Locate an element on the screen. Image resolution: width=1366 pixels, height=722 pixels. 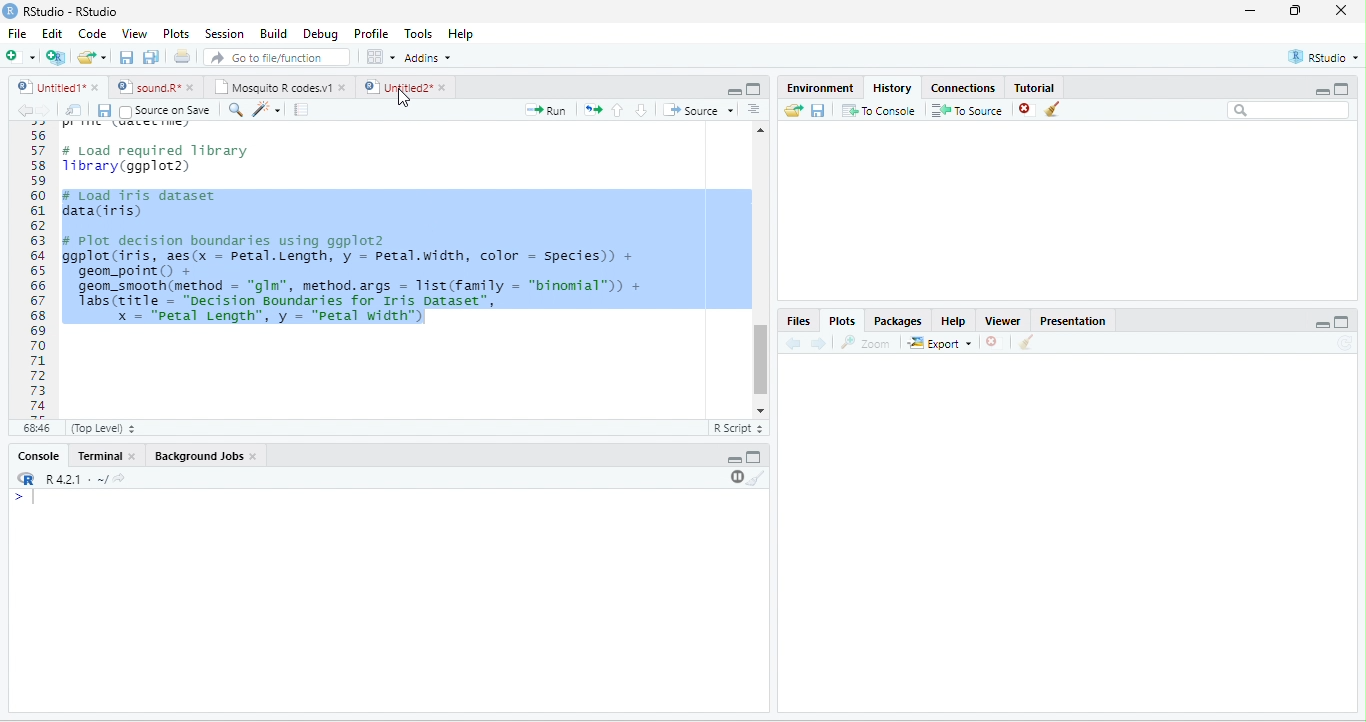
save is located at coordinates (104, 111).